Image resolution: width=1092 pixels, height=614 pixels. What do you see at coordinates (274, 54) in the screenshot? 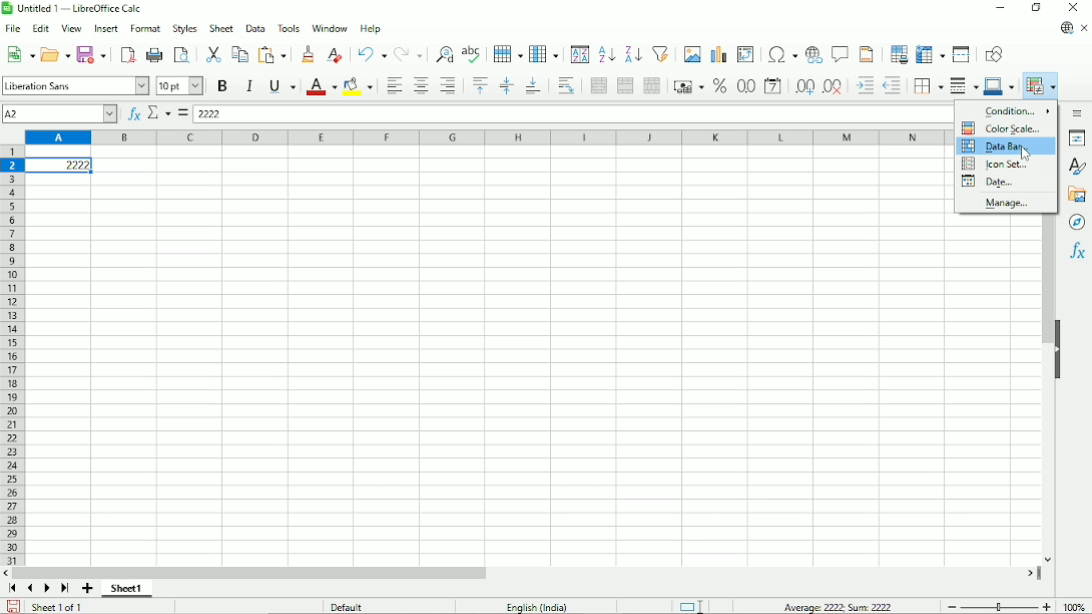
I see `Paste` at bounding box center [274, 54].